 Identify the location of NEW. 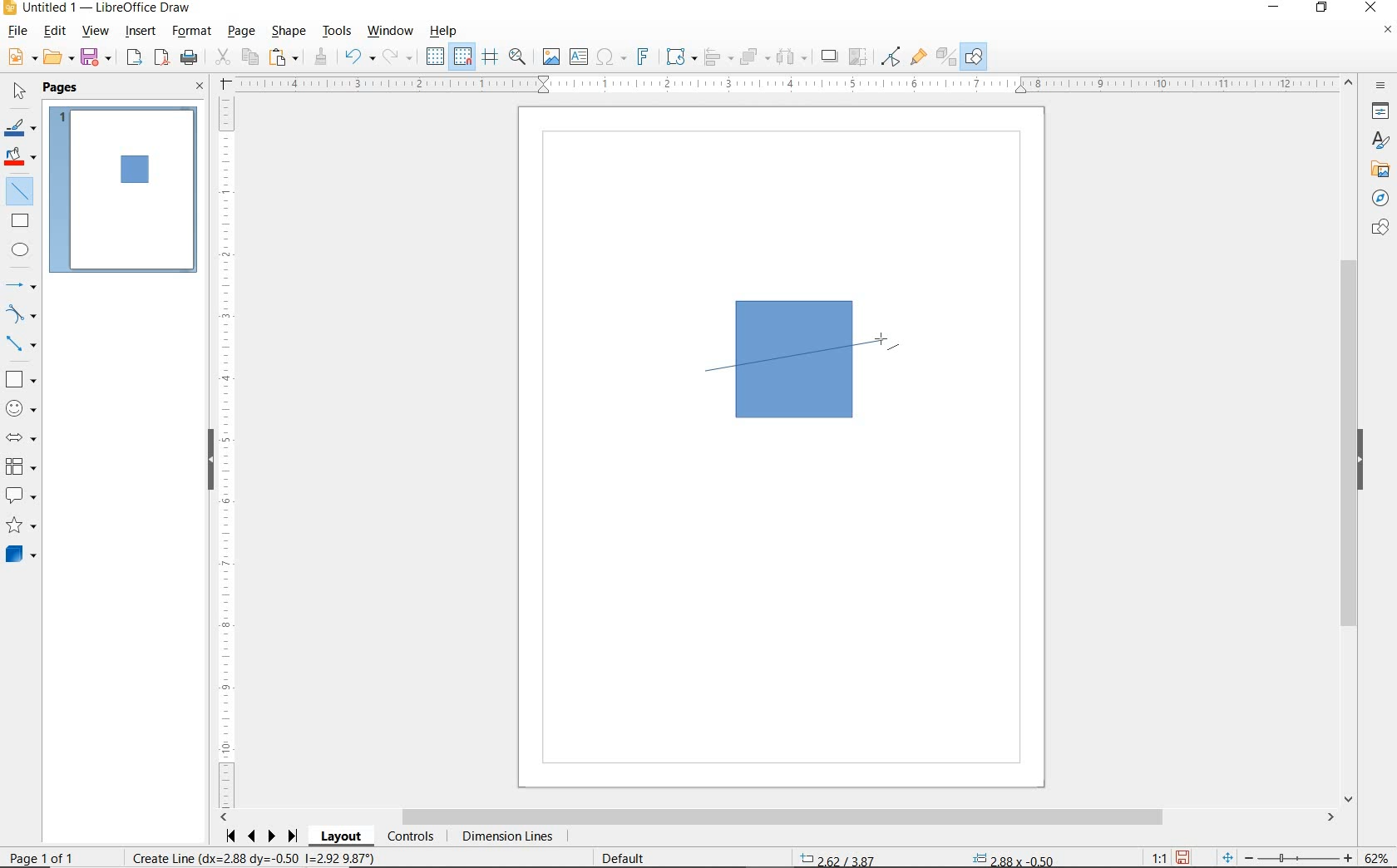
(21, 57).